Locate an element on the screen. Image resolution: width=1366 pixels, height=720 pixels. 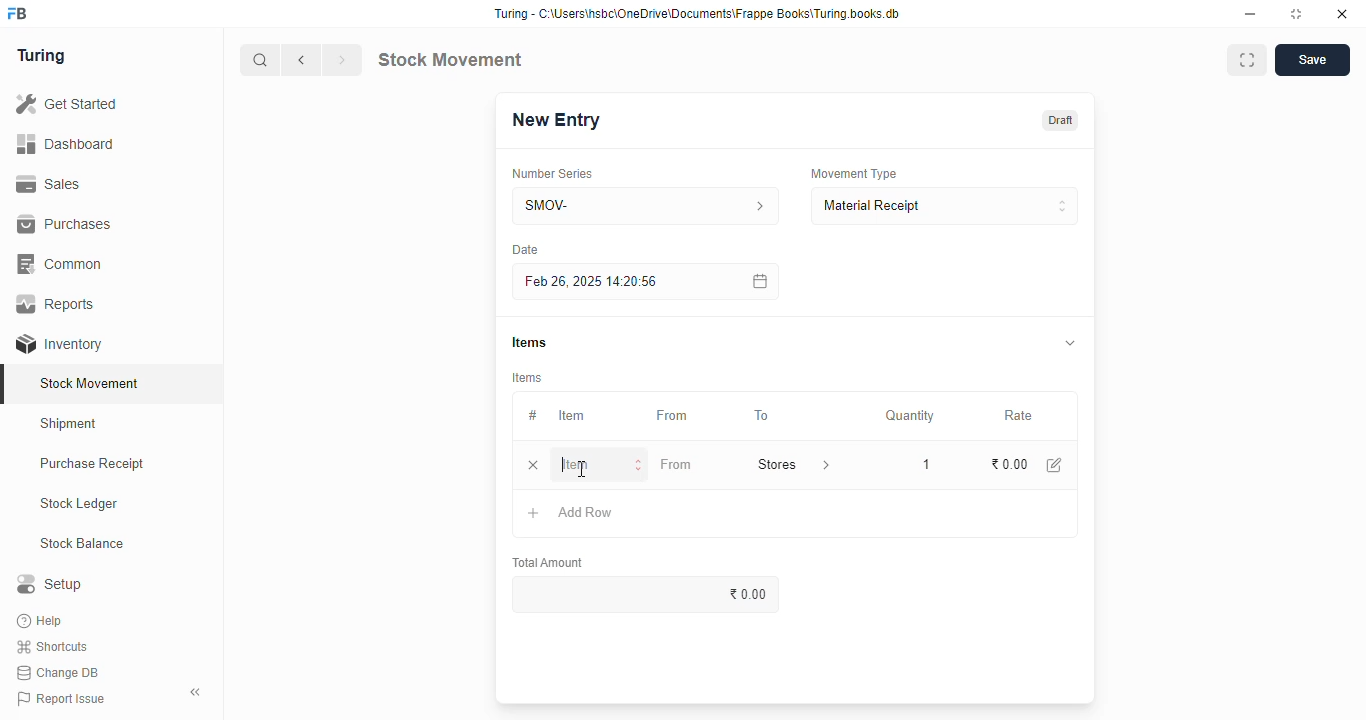
draft is located at coordinates (1062, 120).